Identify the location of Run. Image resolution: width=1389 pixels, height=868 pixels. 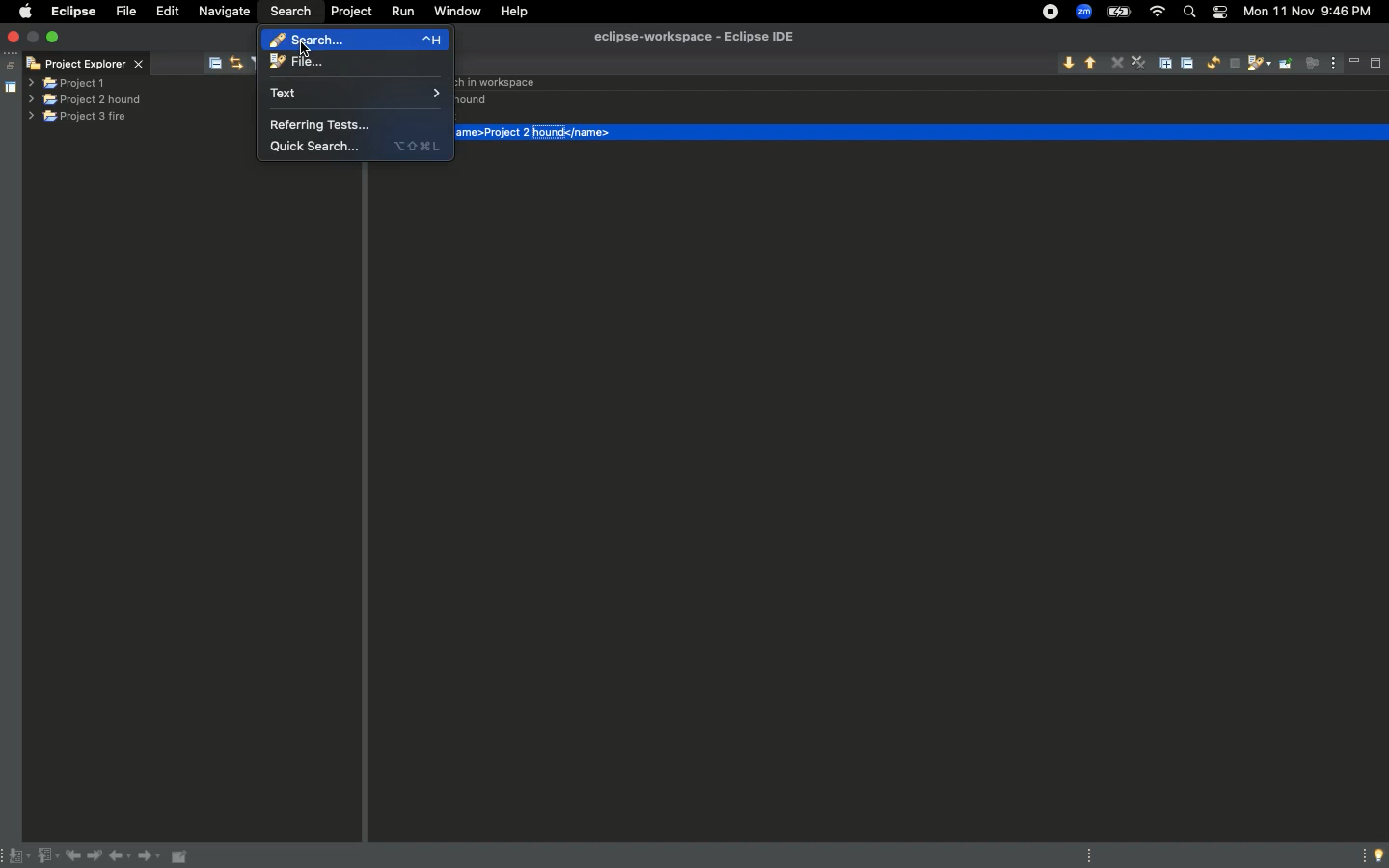
(401, 12).